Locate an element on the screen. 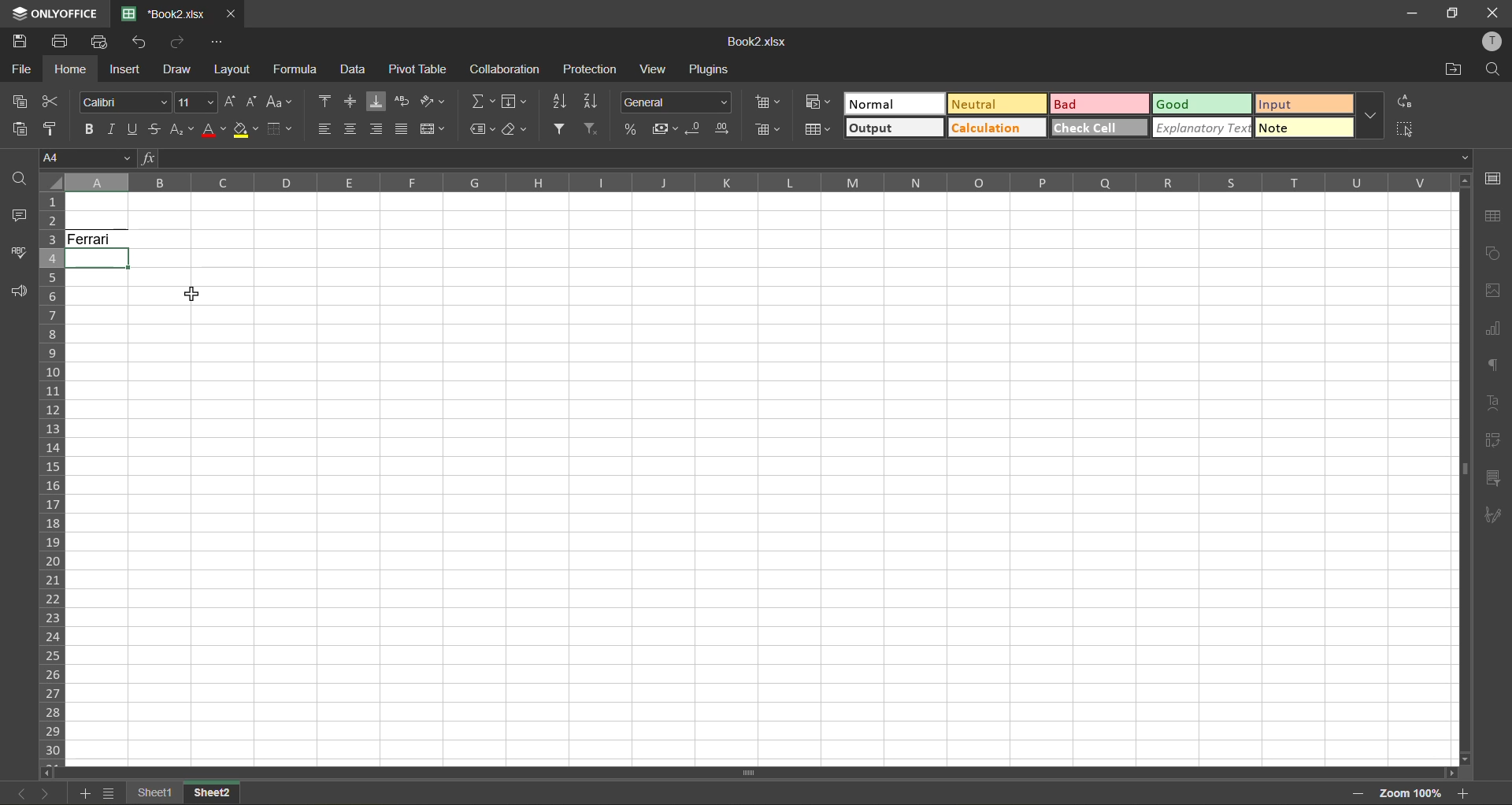 The height and width of the screenshot is (805, 1512). more options is located at coordinates (1371, 116).